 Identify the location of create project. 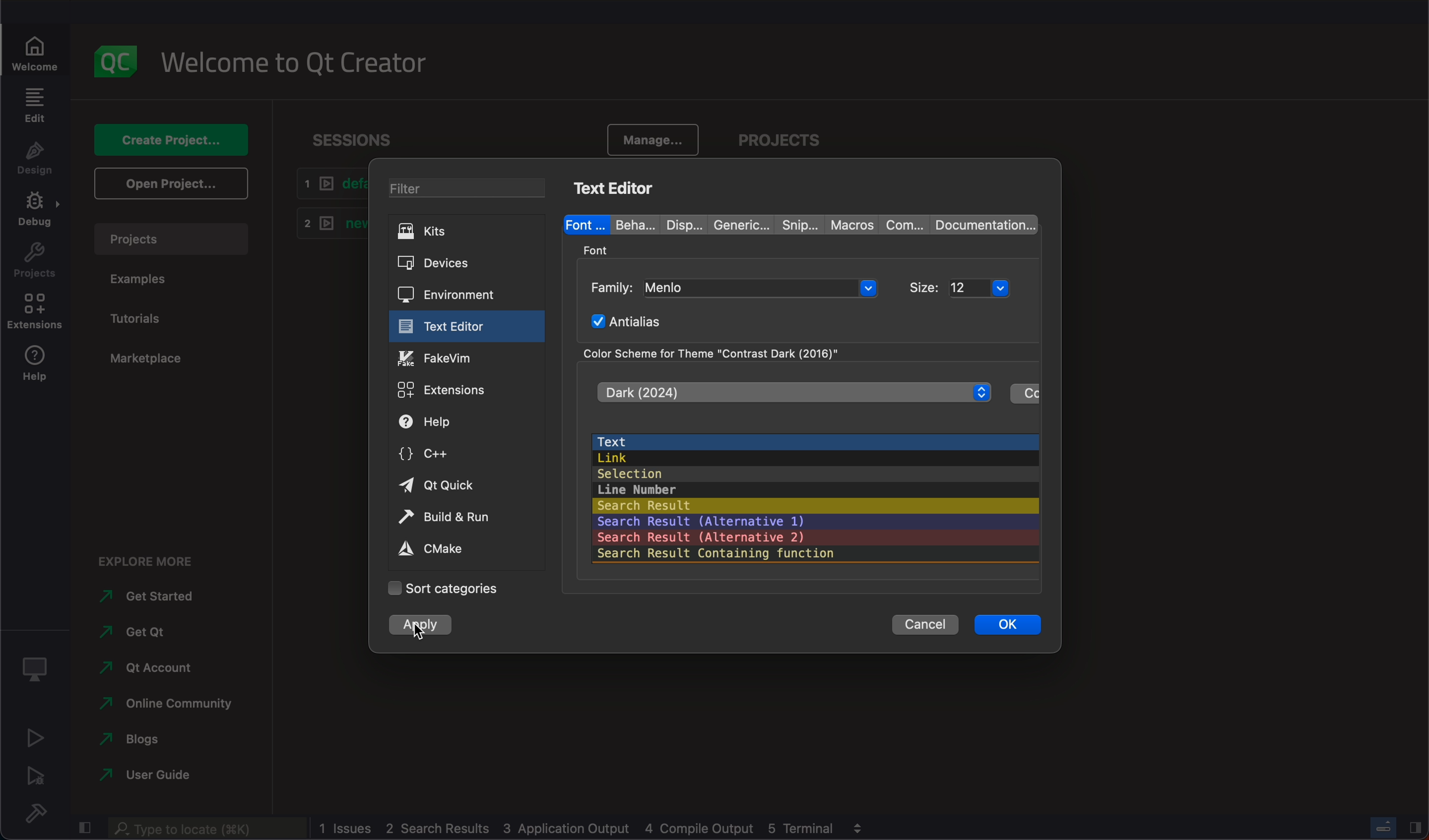
(172, 139).